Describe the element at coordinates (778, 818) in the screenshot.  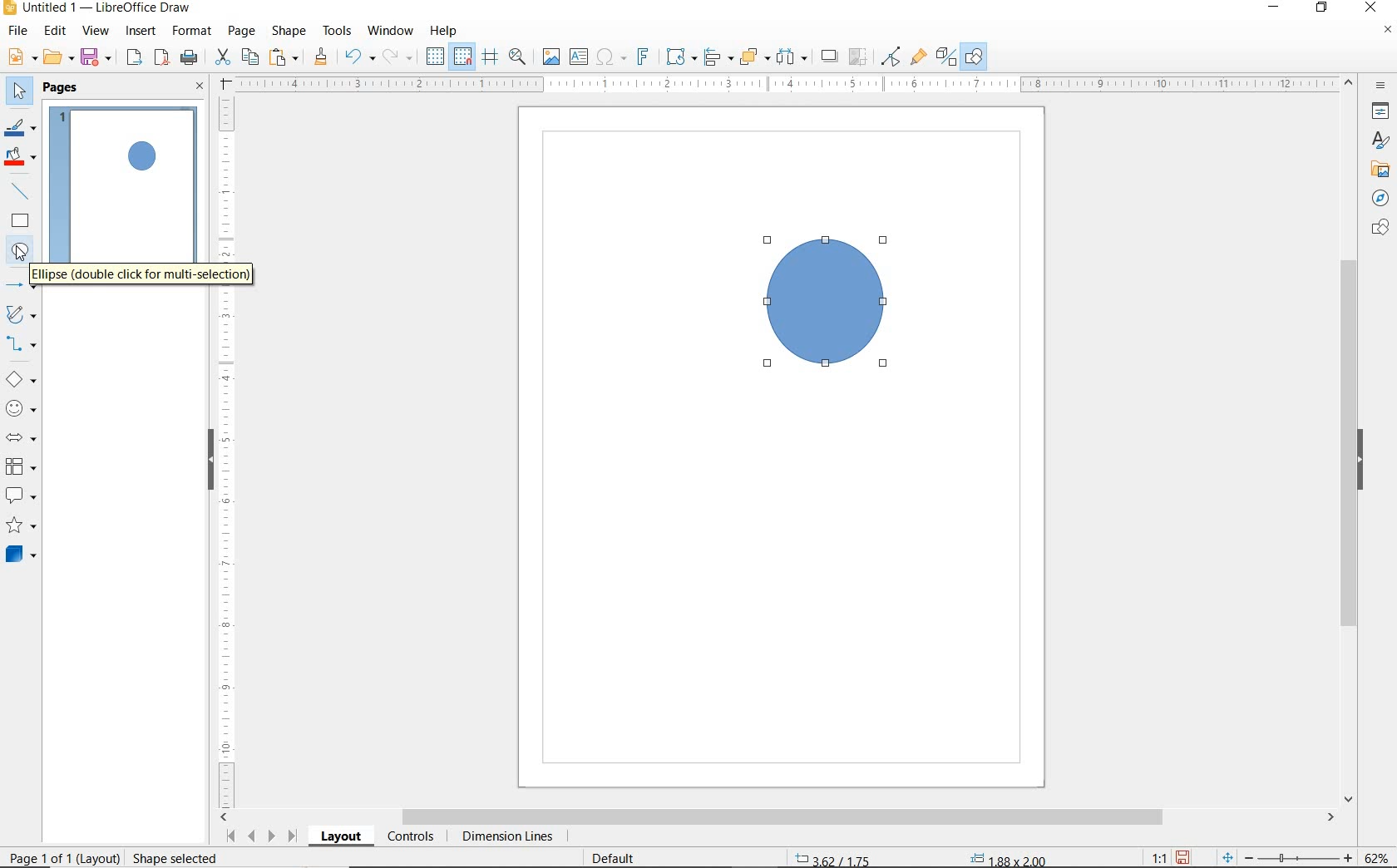
I see `SCROLLBAR` at that location.